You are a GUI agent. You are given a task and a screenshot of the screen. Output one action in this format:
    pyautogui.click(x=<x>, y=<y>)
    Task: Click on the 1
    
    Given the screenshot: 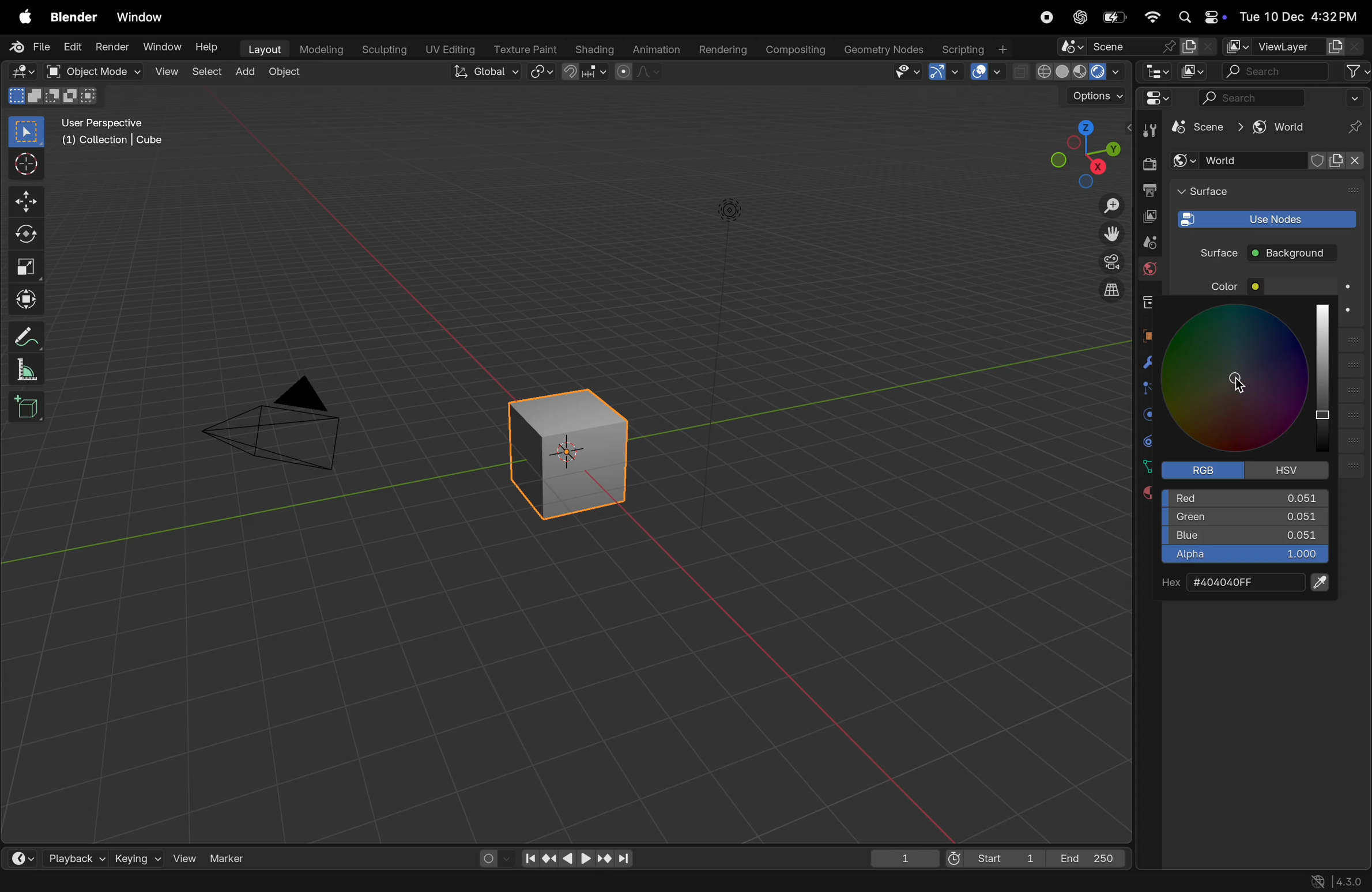 What is the action you would take?
    pyautogui.click(x=904, y=856)
    